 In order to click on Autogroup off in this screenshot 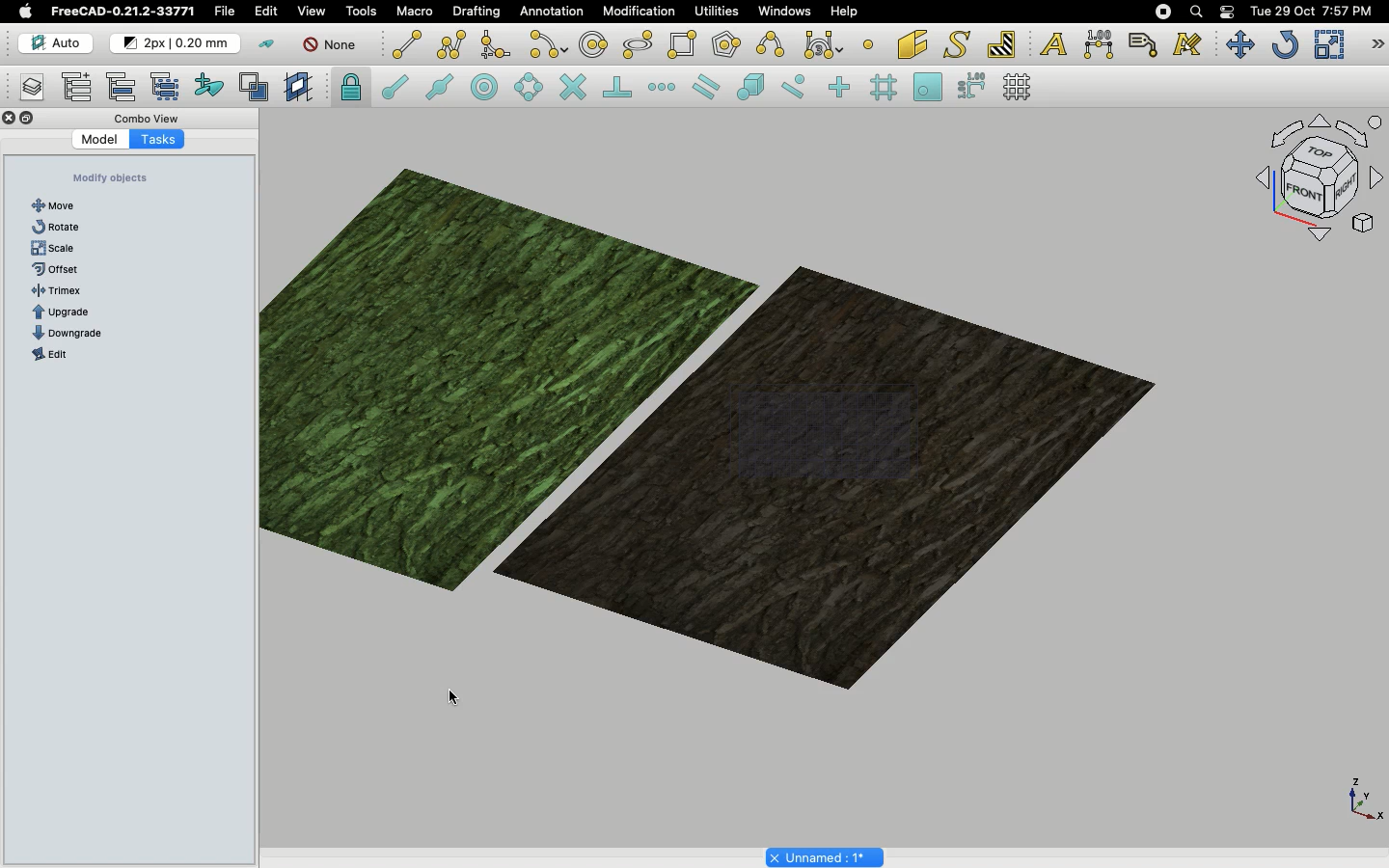, I will do `click(333, 46)`.